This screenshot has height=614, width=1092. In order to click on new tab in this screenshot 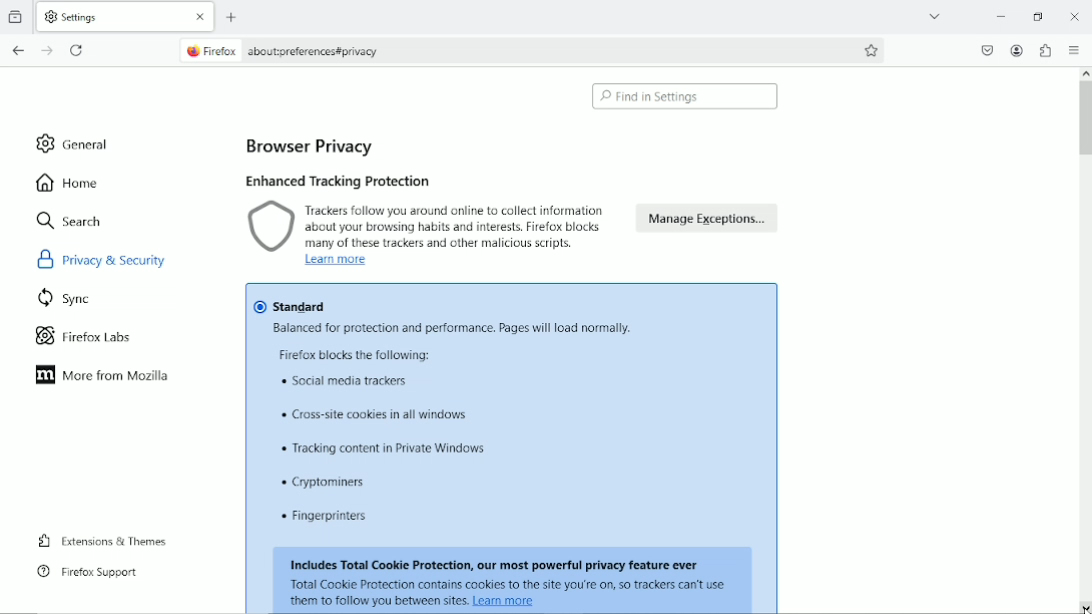, I will do `click(233, 18)`.